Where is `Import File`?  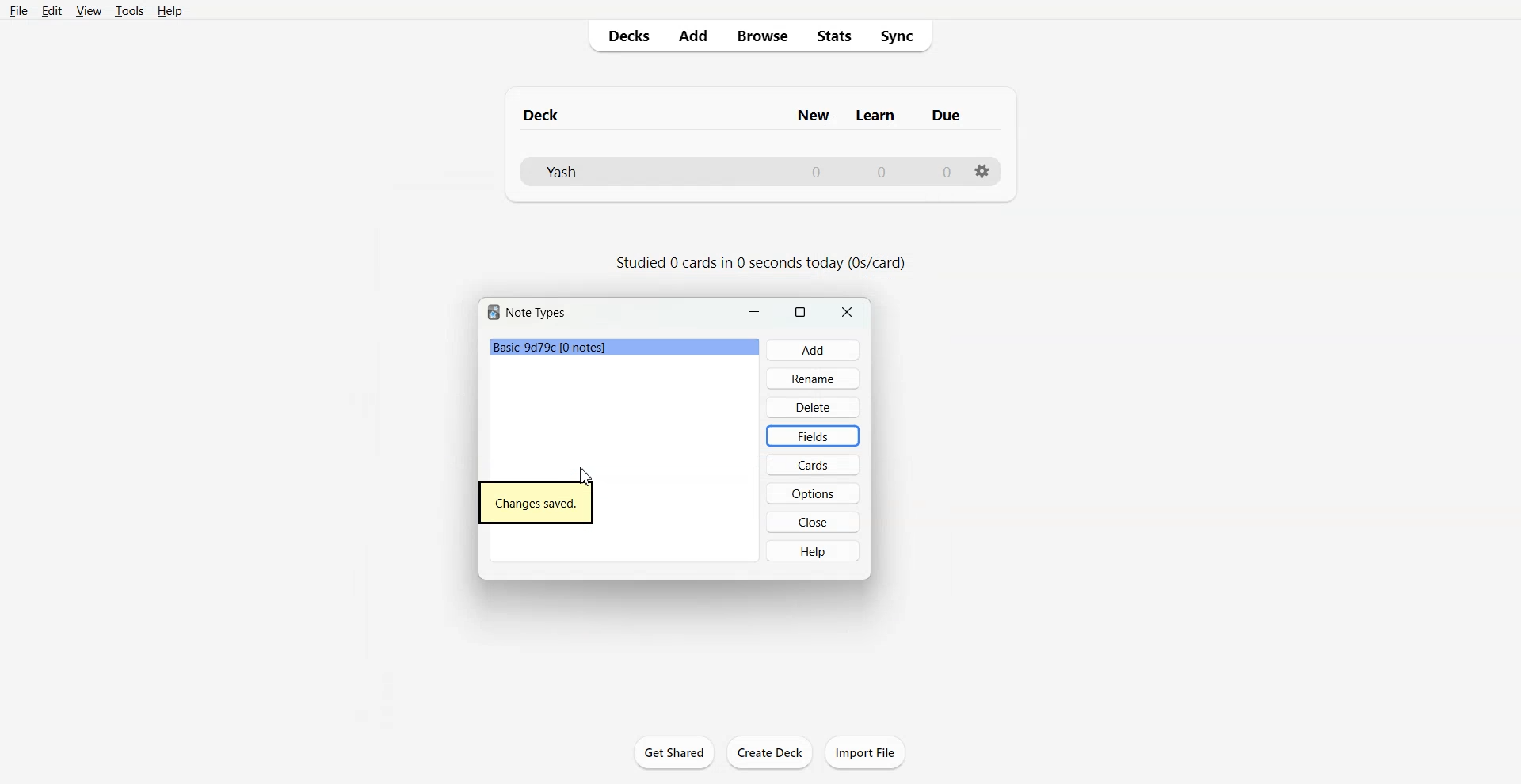
Import File is located at coordinates (865, 752).